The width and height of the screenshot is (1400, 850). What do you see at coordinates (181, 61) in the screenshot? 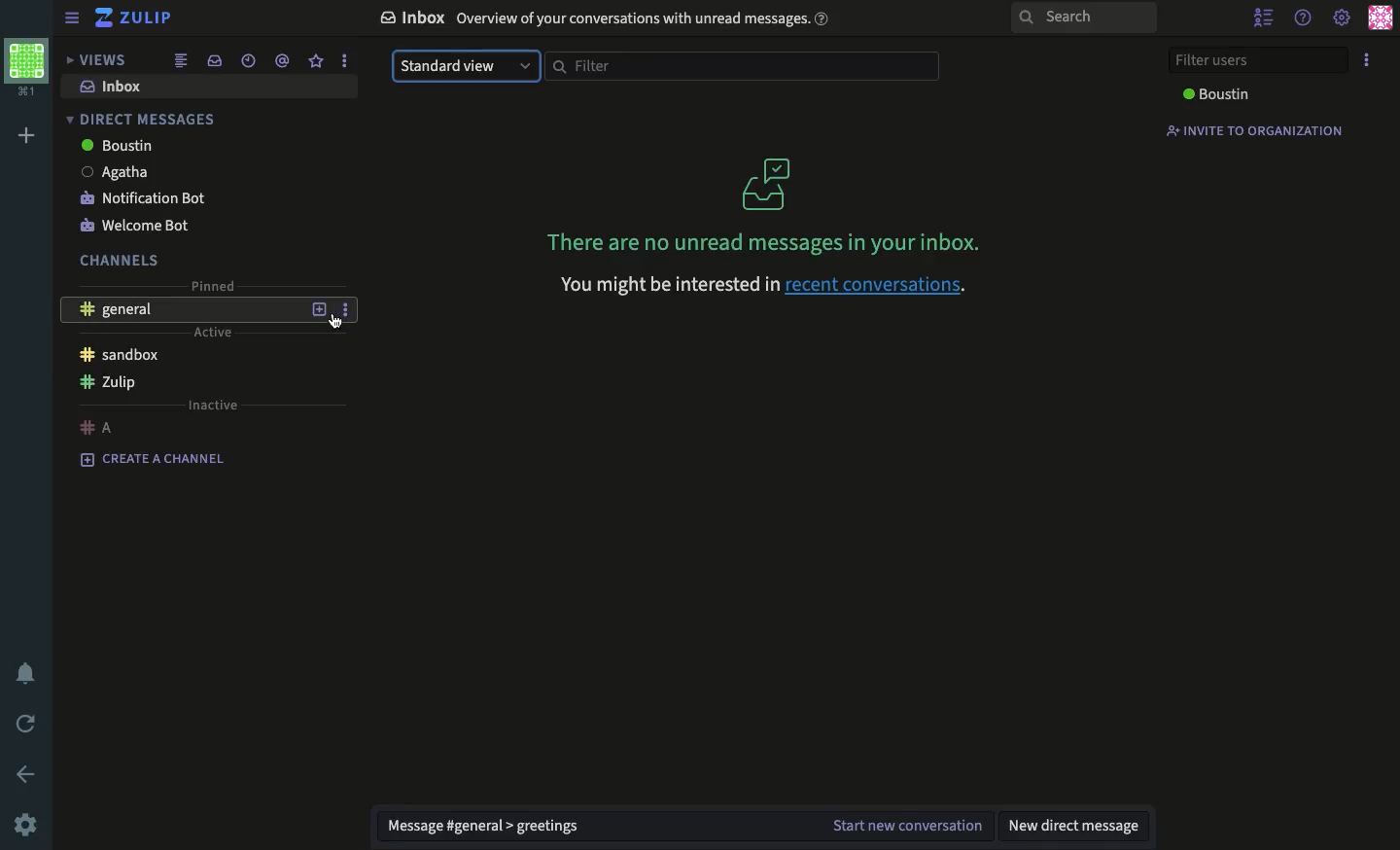
I see `combined feed` at bounding box center [181, 61].